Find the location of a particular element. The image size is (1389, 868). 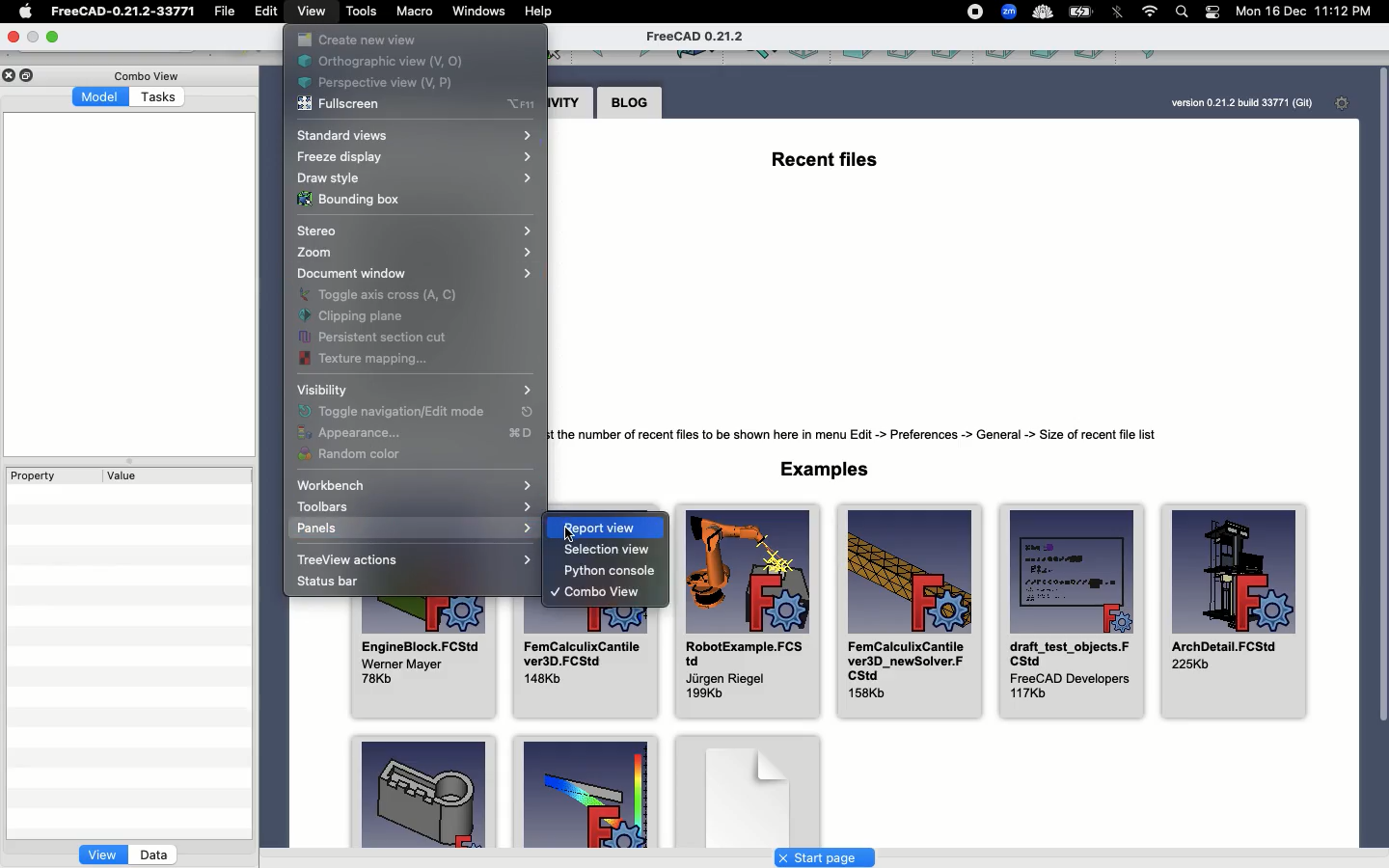

Orthographic view is located at coordinates (409, 60).